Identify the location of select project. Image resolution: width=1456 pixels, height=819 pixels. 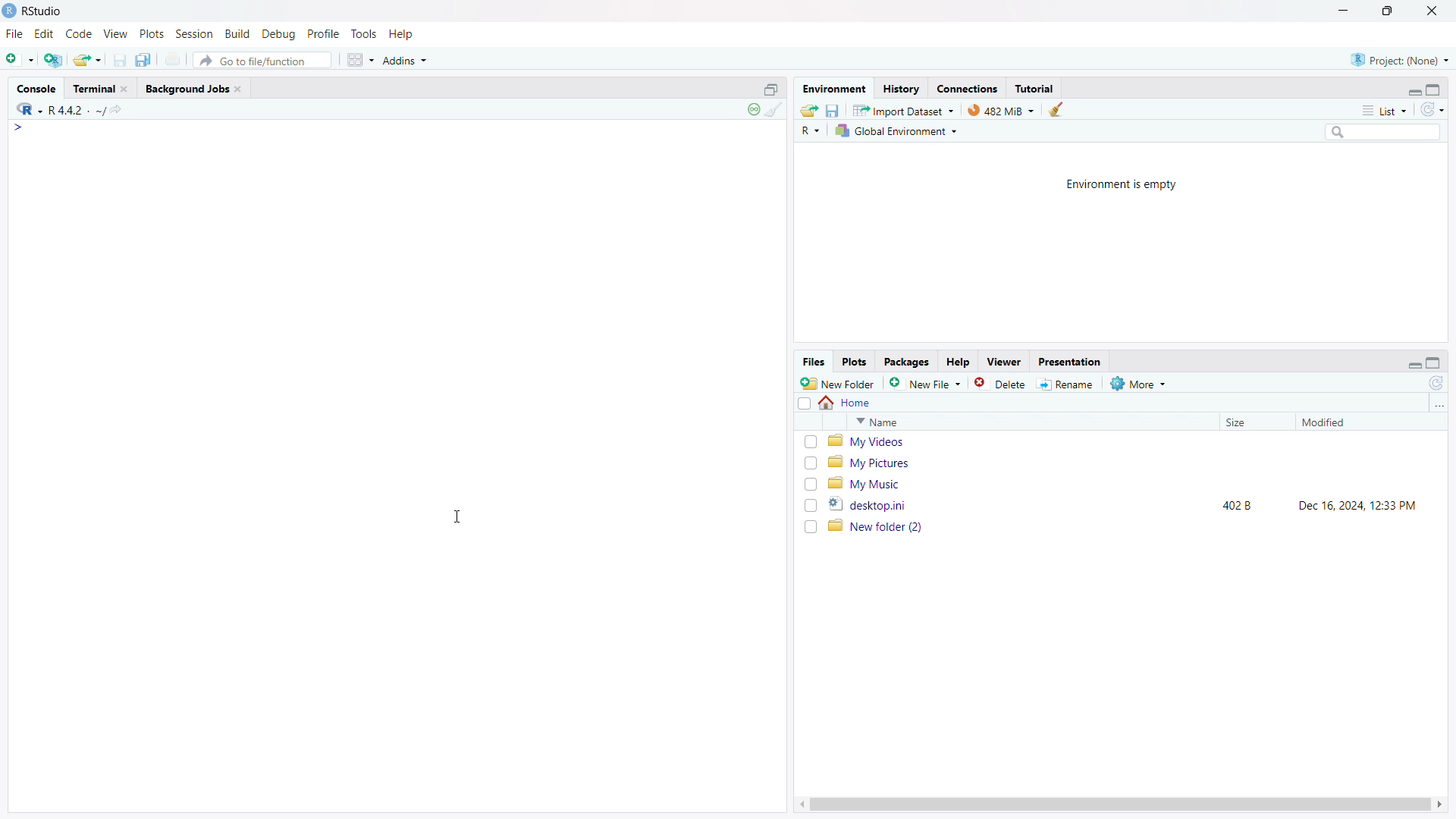
(1400, 60).